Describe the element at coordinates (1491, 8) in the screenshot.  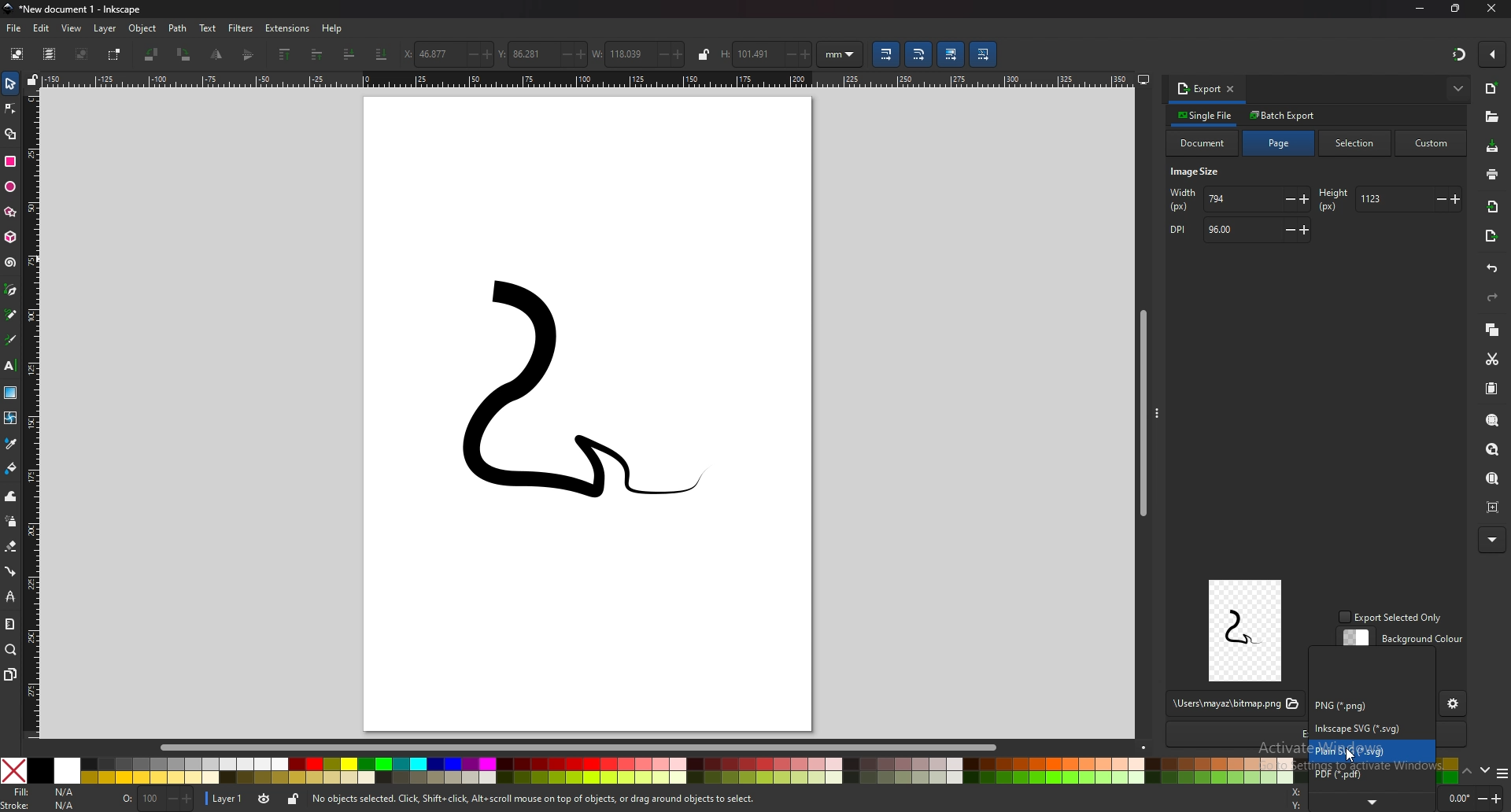
I see `close` at that location.